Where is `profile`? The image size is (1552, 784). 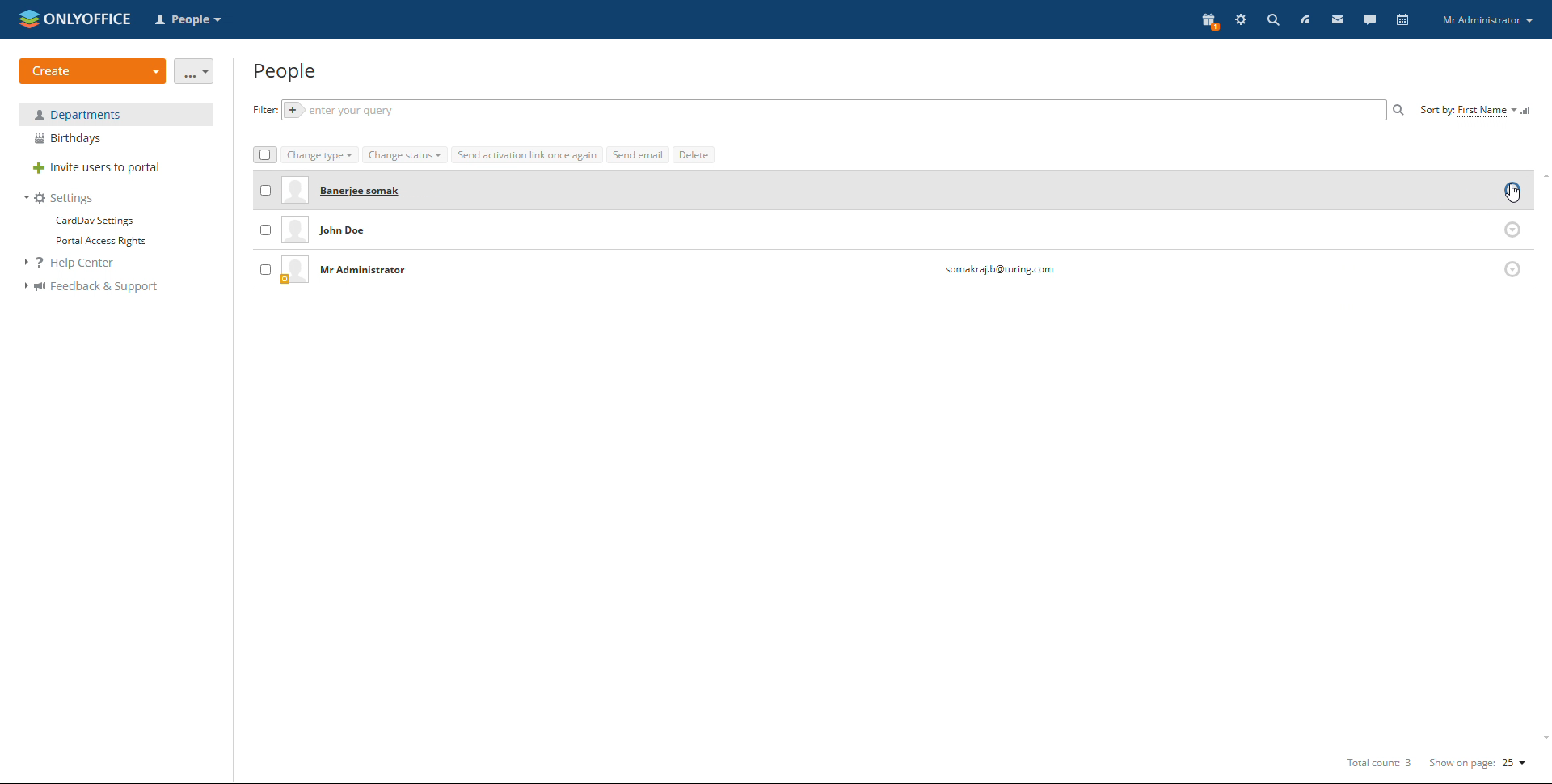
profile is located at coordinates (1487, 21).